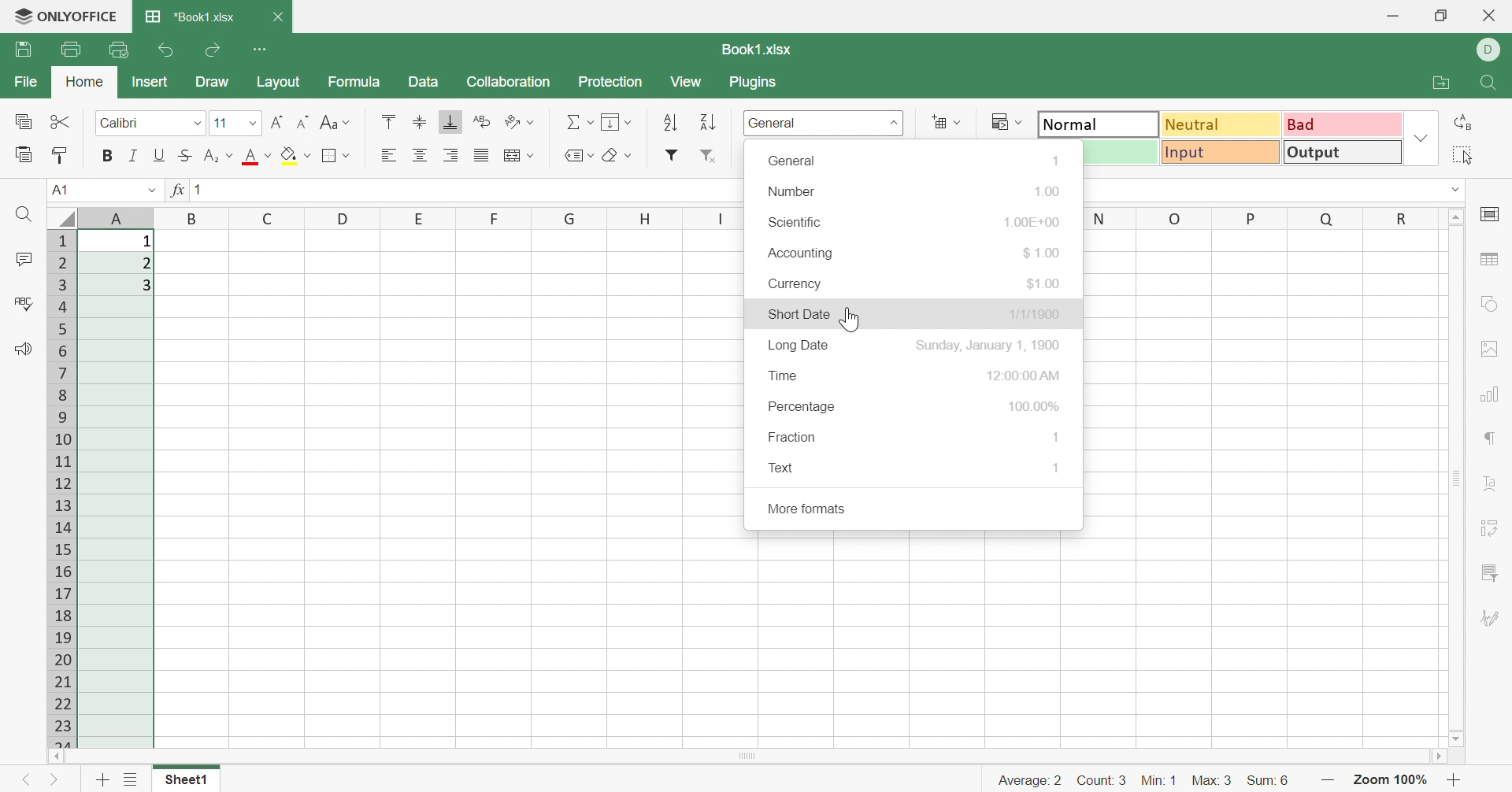 The image size is (1512, 792). What do you see at coordinates (1492, 261) in the screenshot?
I see `Table settings` at bounding box center [1492, 261].